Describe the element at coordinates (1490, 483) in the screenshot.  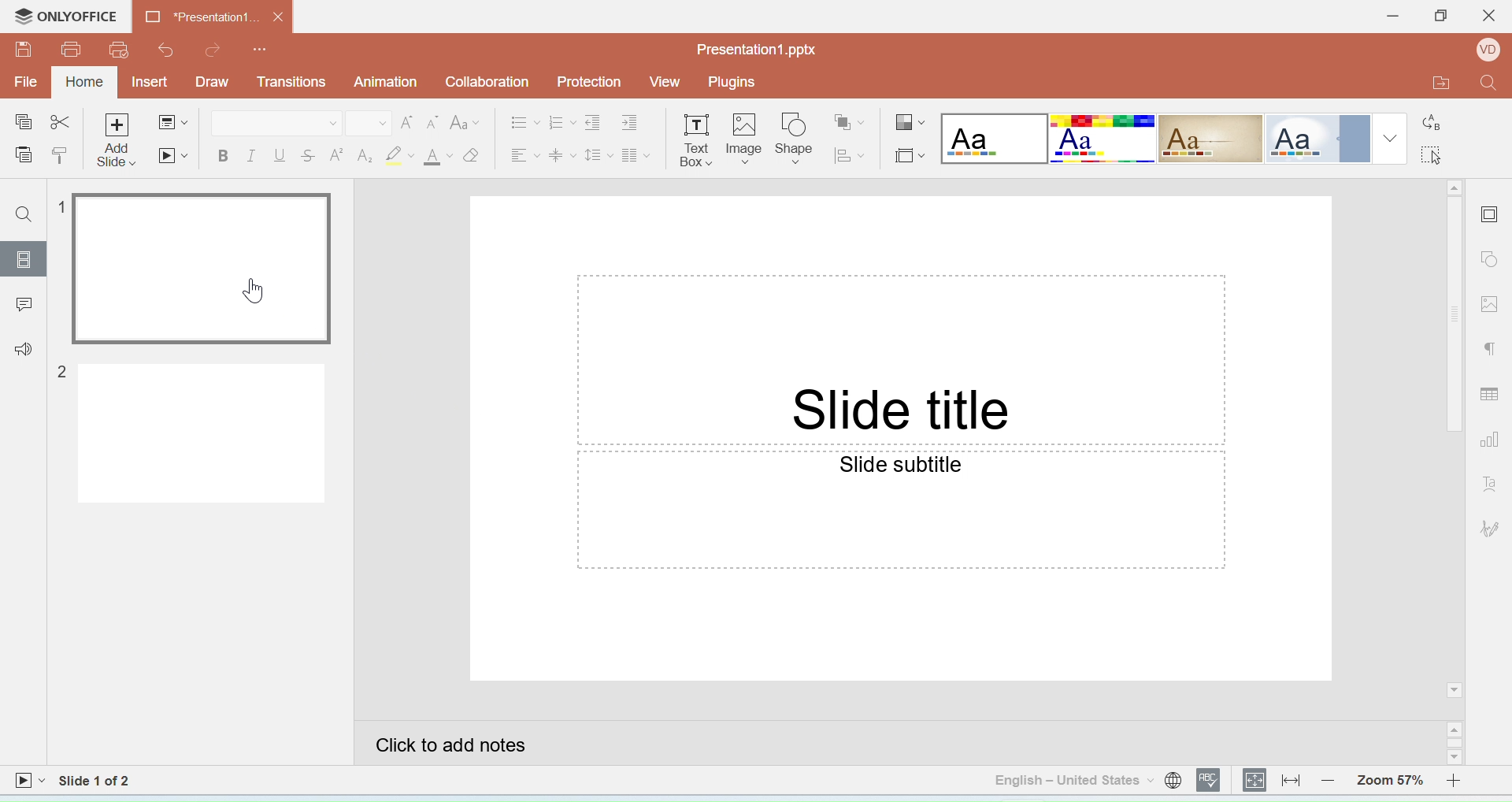
I see `Text art settings` at that location.